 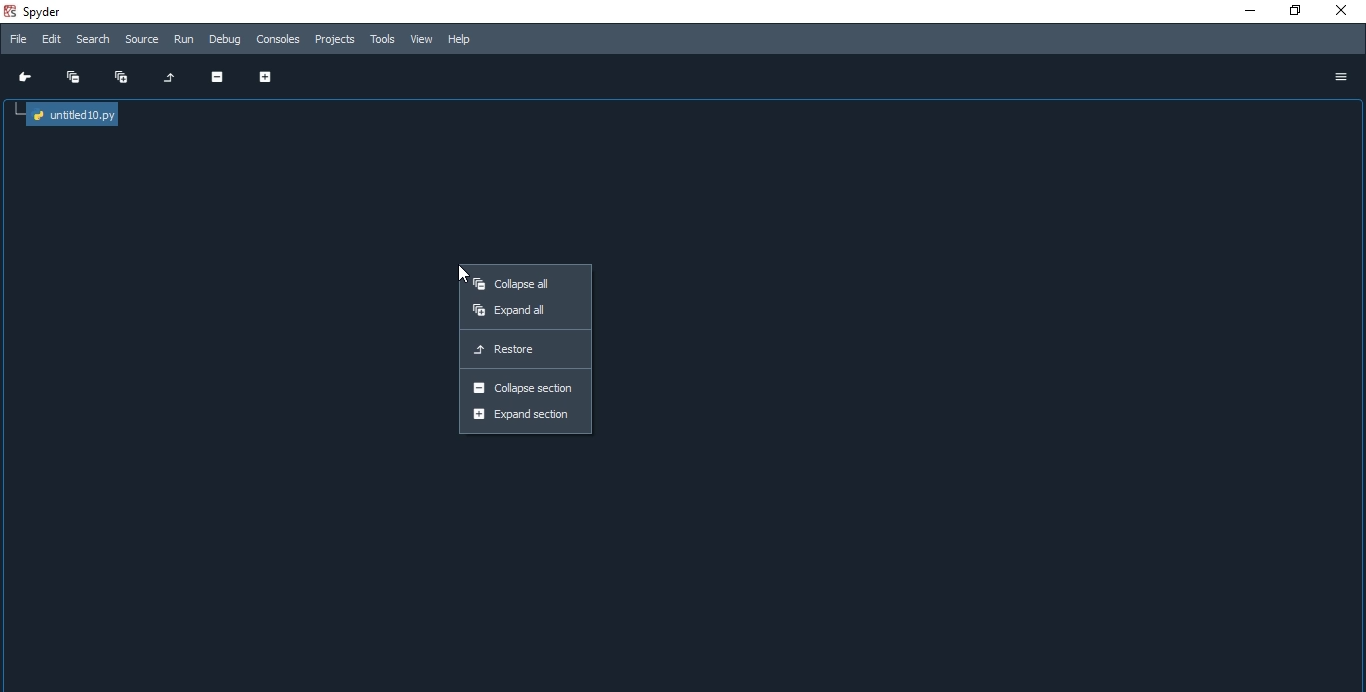 I want to click on minmise, so click(x=1248, y=12).